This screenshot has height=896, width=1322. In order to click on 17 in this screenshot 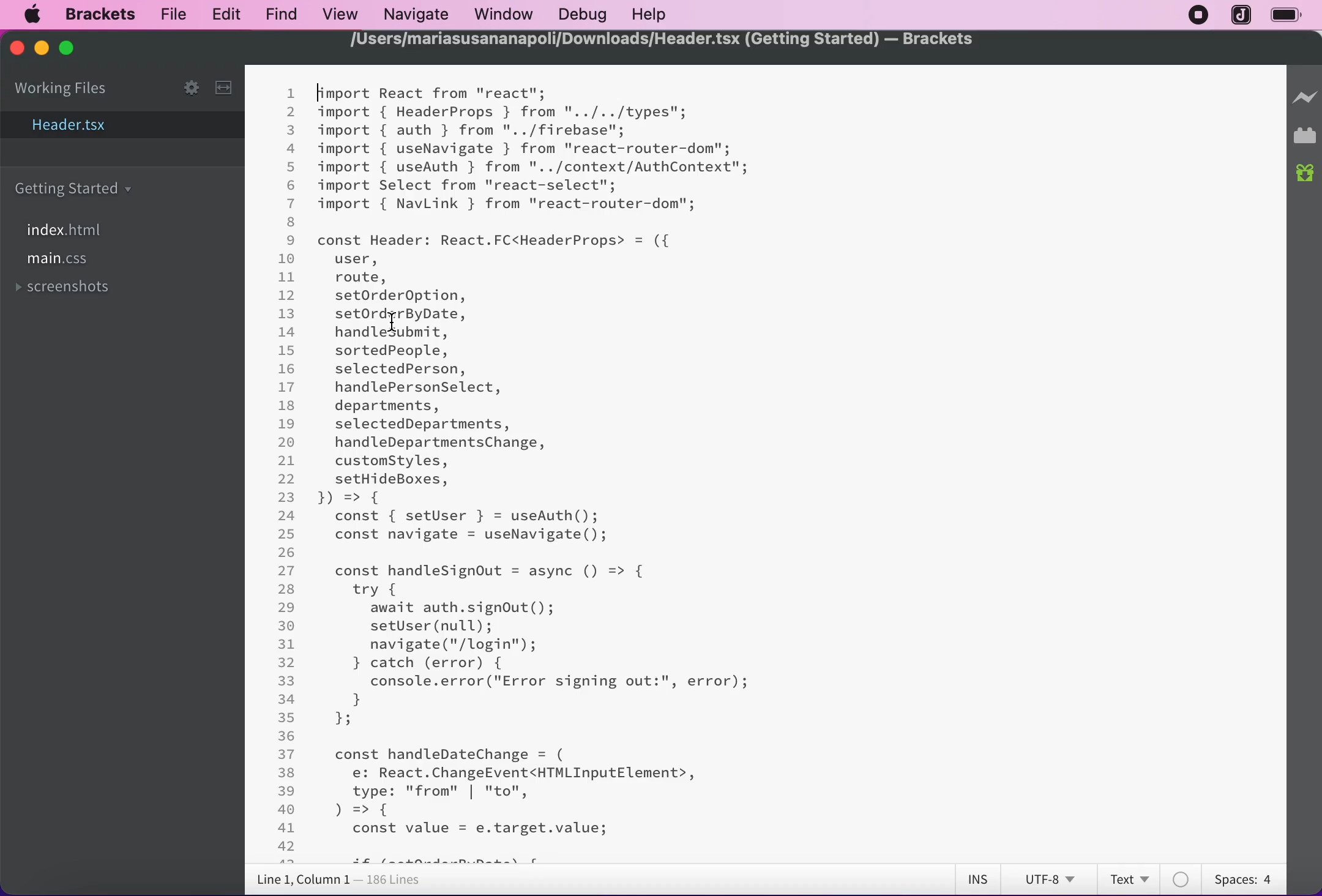, I will do `click(286, 387)`.